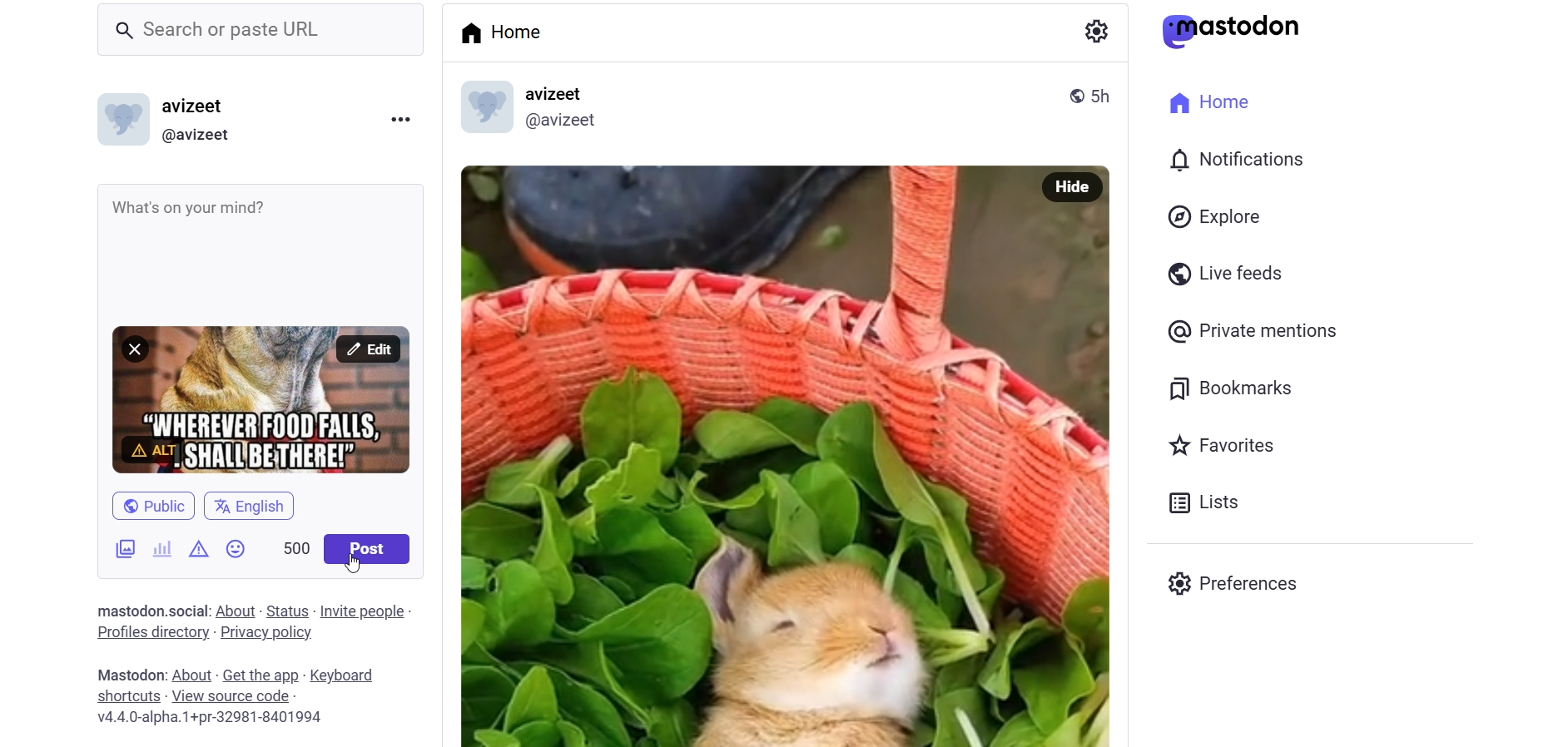 This screenshot has width=1568, height=747. Describe the element at coordinates (216, 719) in the screenshot. I see `version` at that location.